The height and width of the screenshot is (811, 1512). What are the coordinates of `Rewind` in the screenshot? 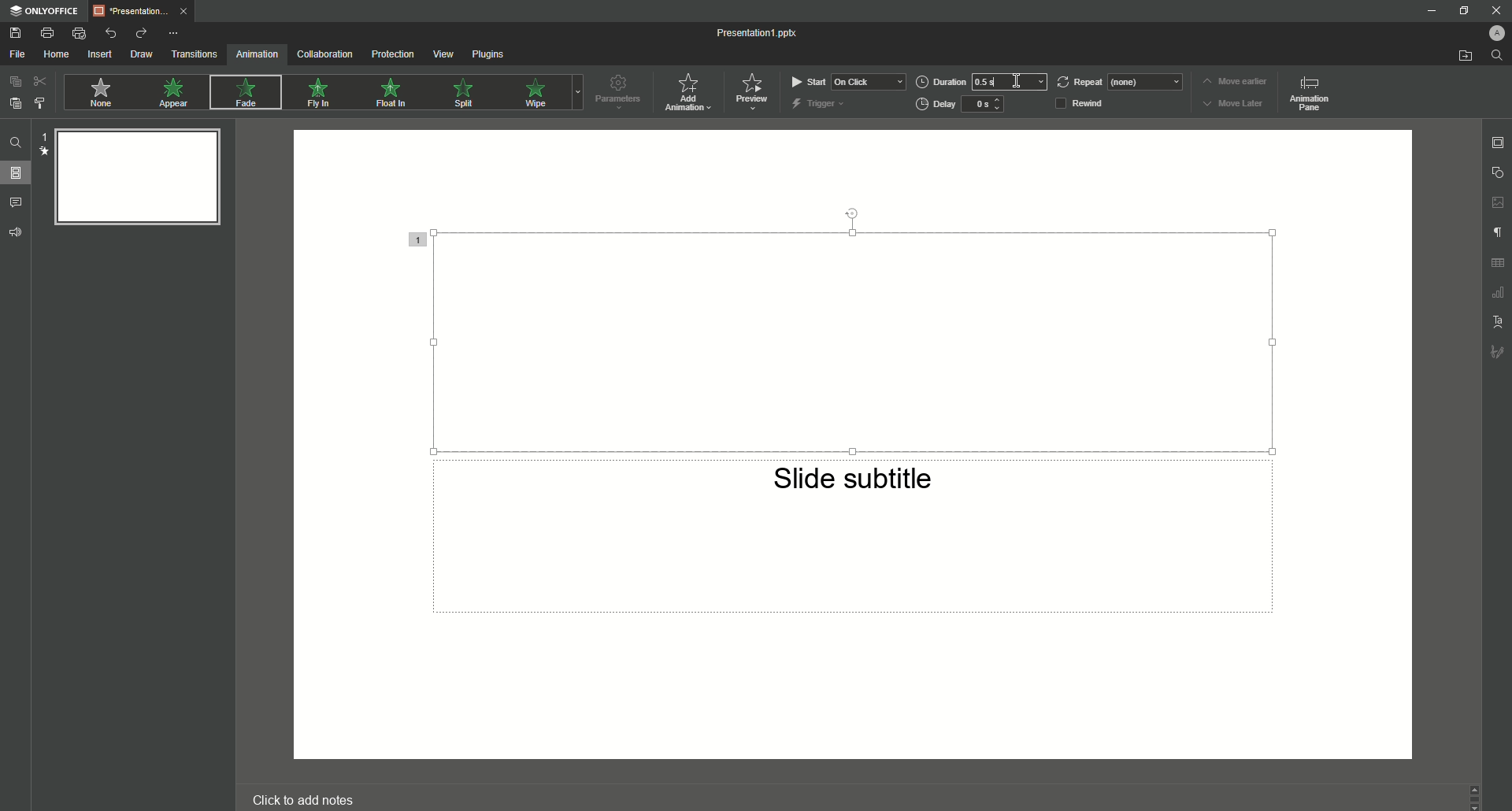 It's located at (1085, 104).